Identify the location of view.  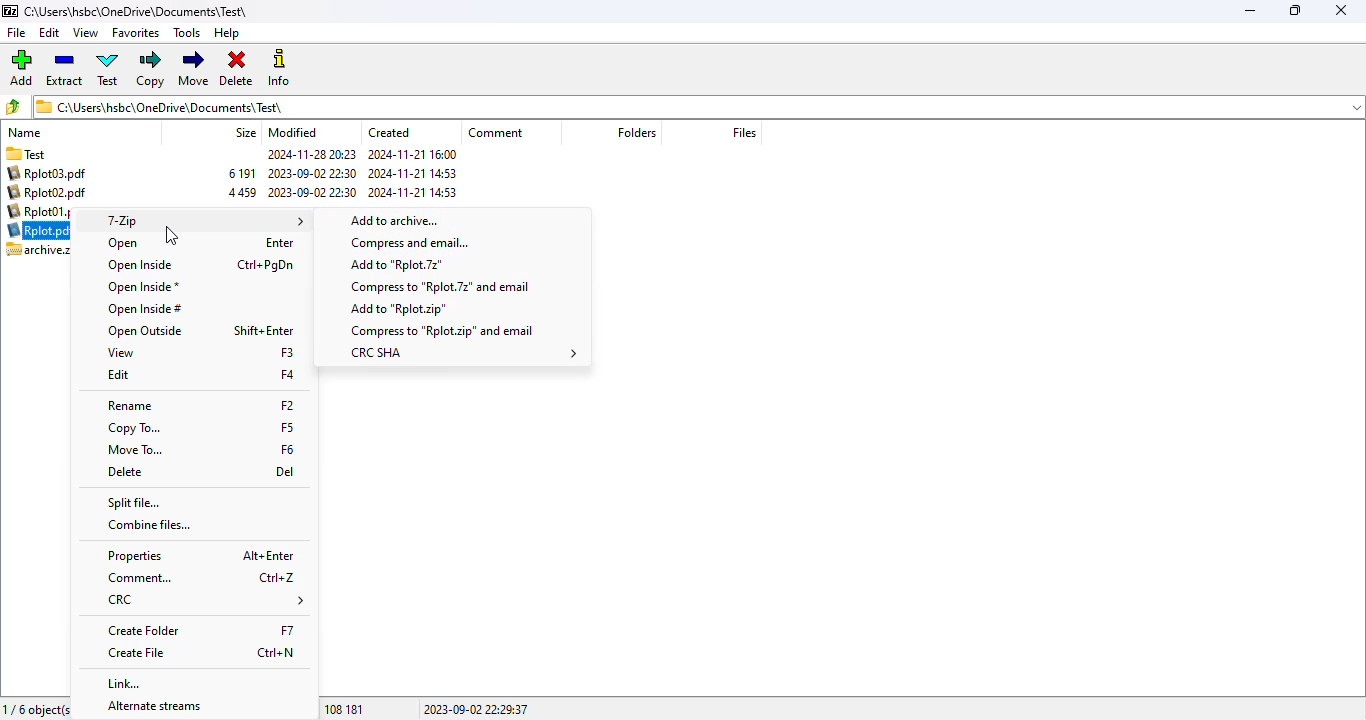
(122, 353).